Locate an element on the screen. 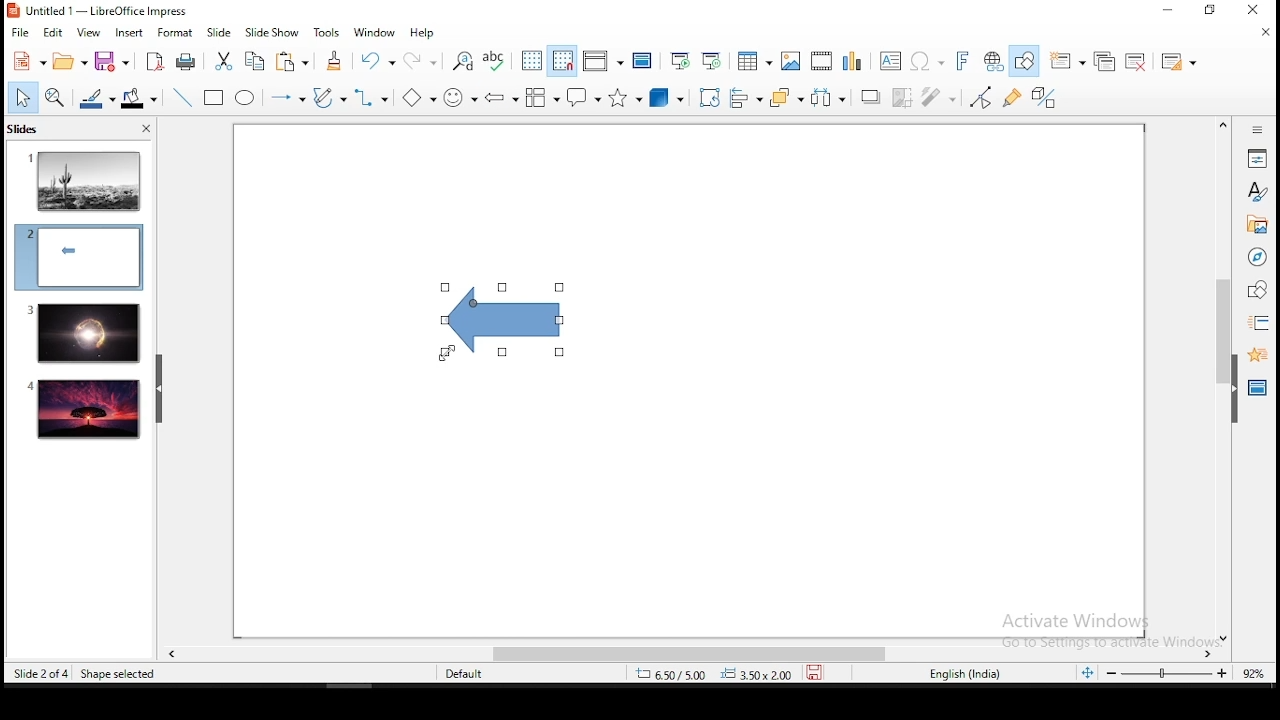  snap to grid is located at coordinates (563, 60).